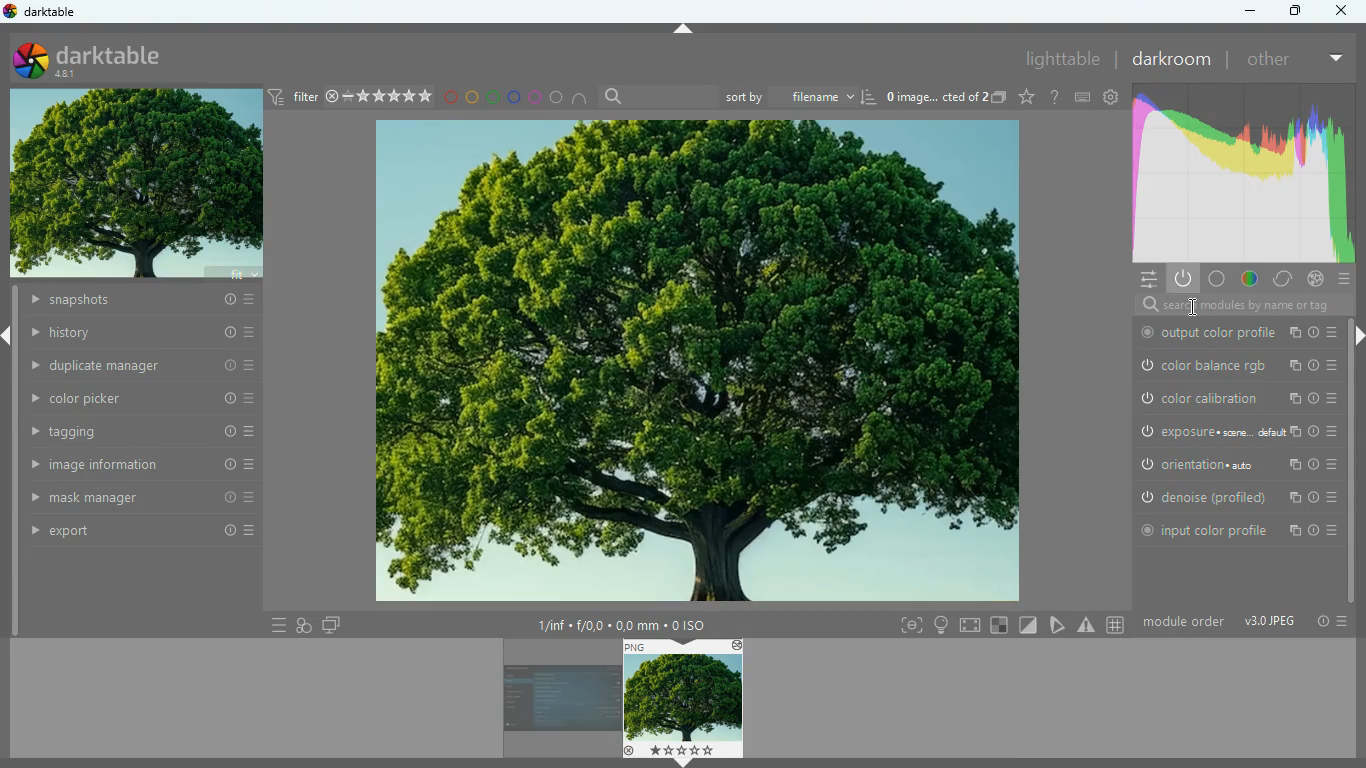 The width and height of the screenshot is (1366, 768). I want to click on pink, so click(538, 98).